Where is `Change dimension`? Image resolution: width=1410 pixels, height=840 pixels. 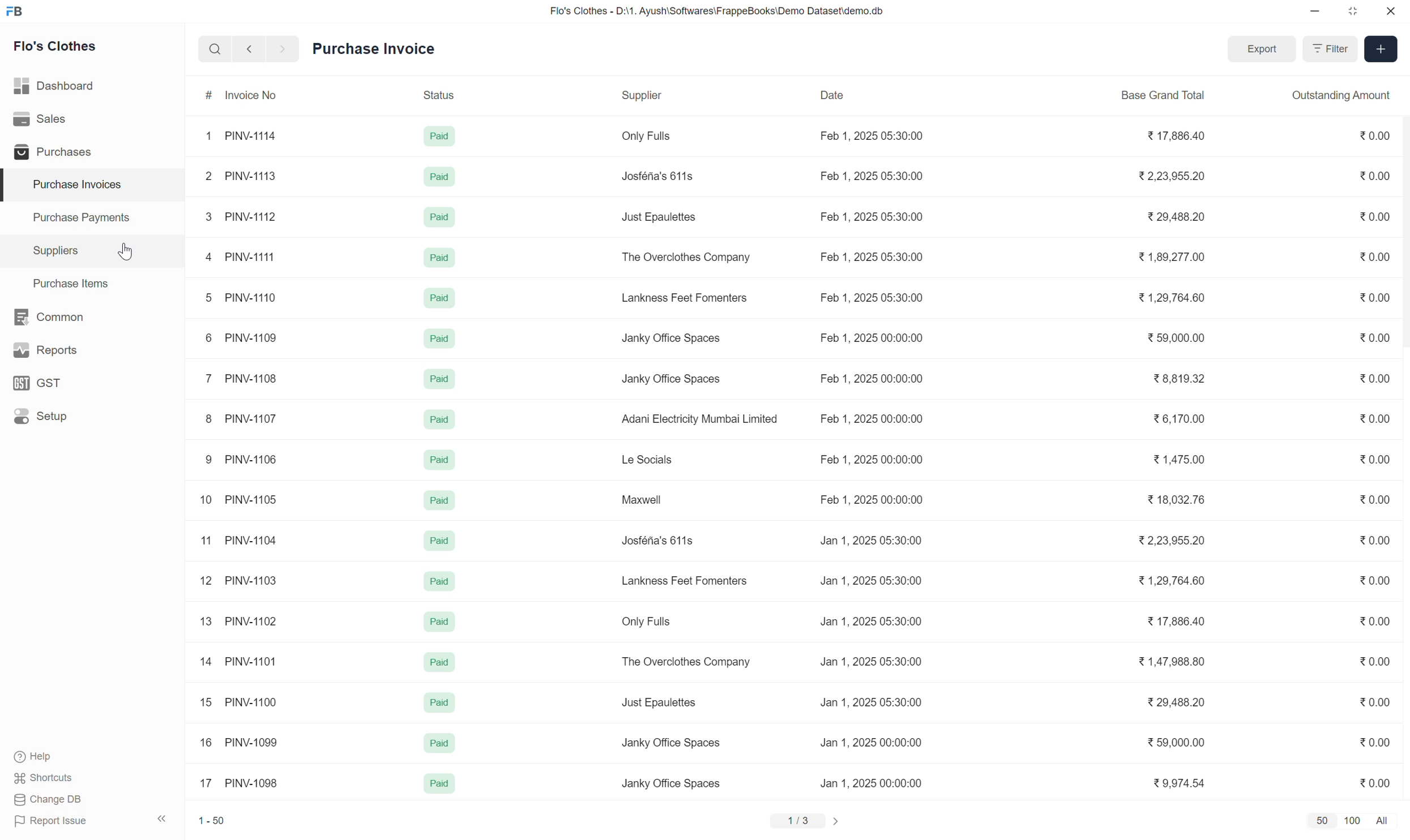
Change dimension is located at coordinates (1353, 11).